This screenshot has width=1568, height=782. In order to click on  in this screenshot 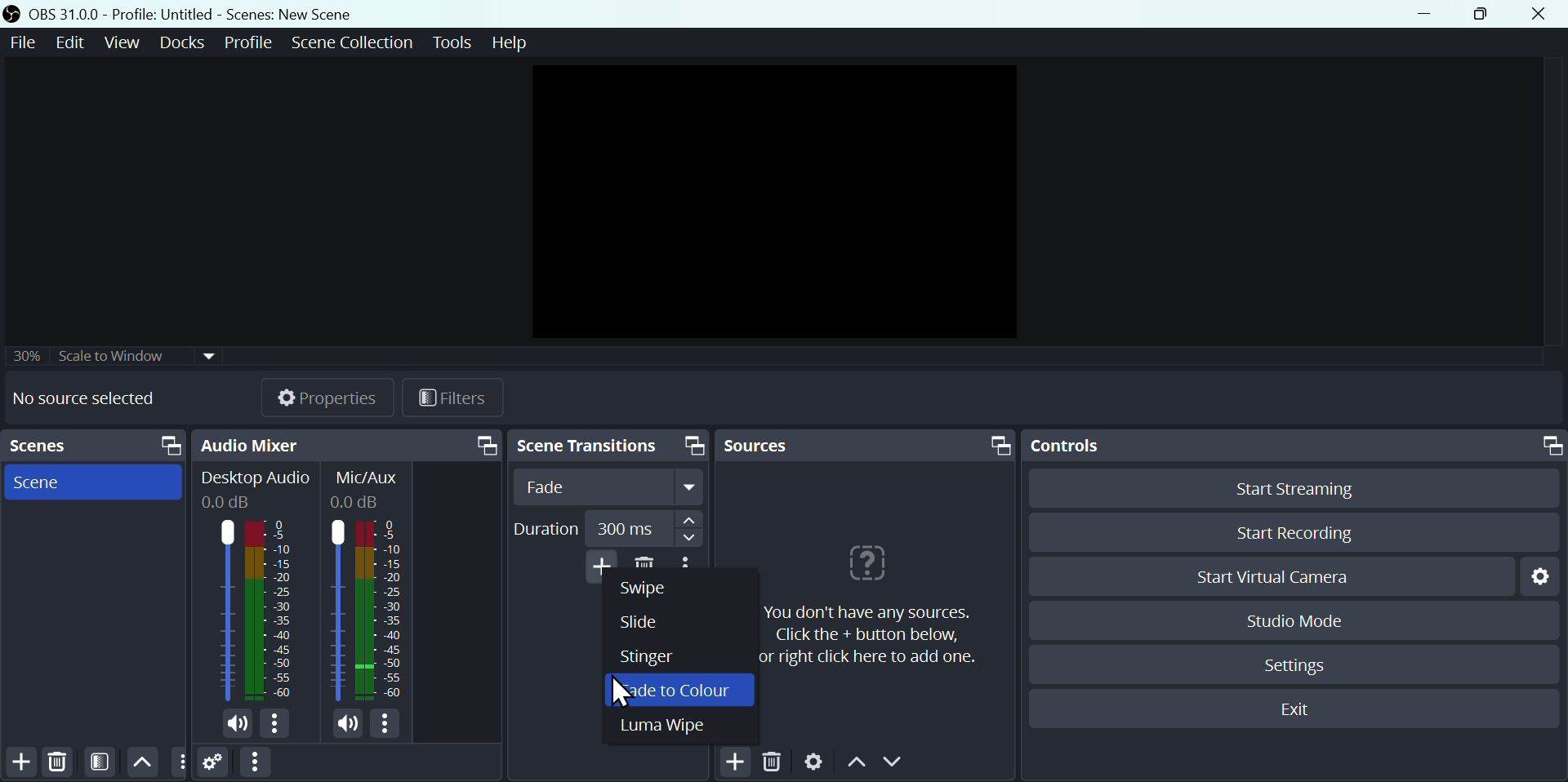, I will do `click(117, 351)`.